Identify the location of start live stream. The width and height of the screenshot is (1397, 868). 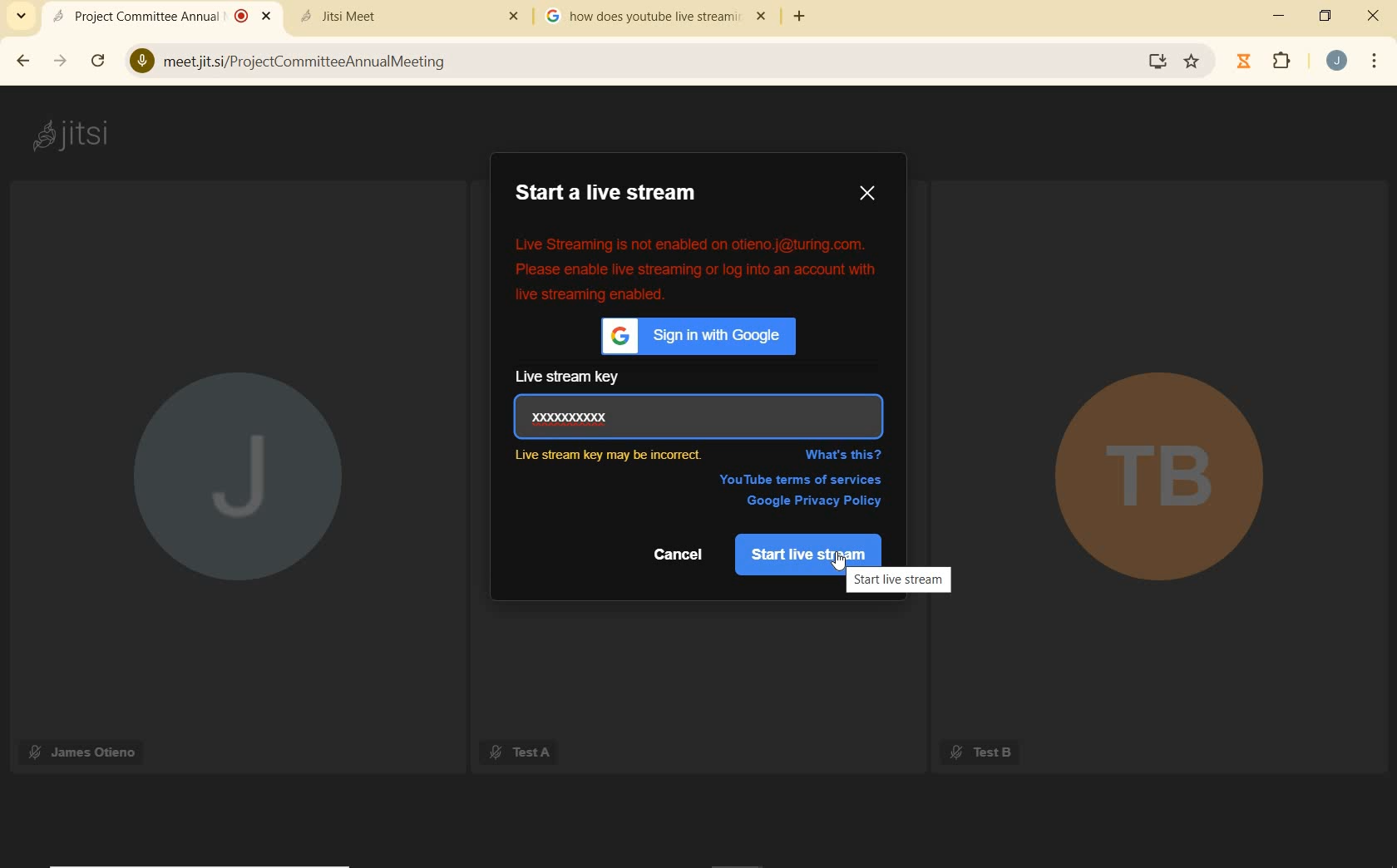
(899, 581).